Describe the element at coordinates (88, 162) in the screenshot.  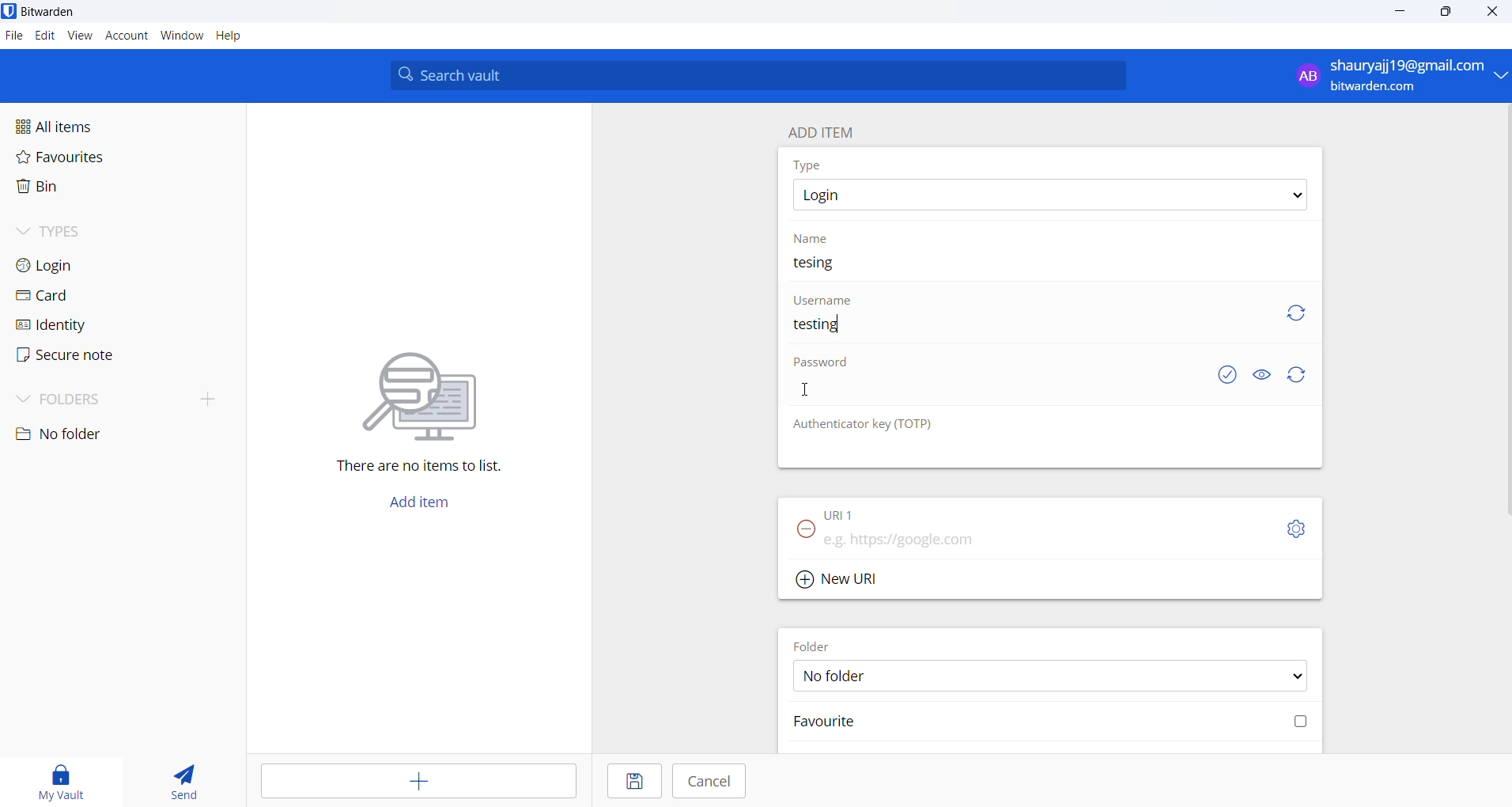
I see `favourites` at that location.